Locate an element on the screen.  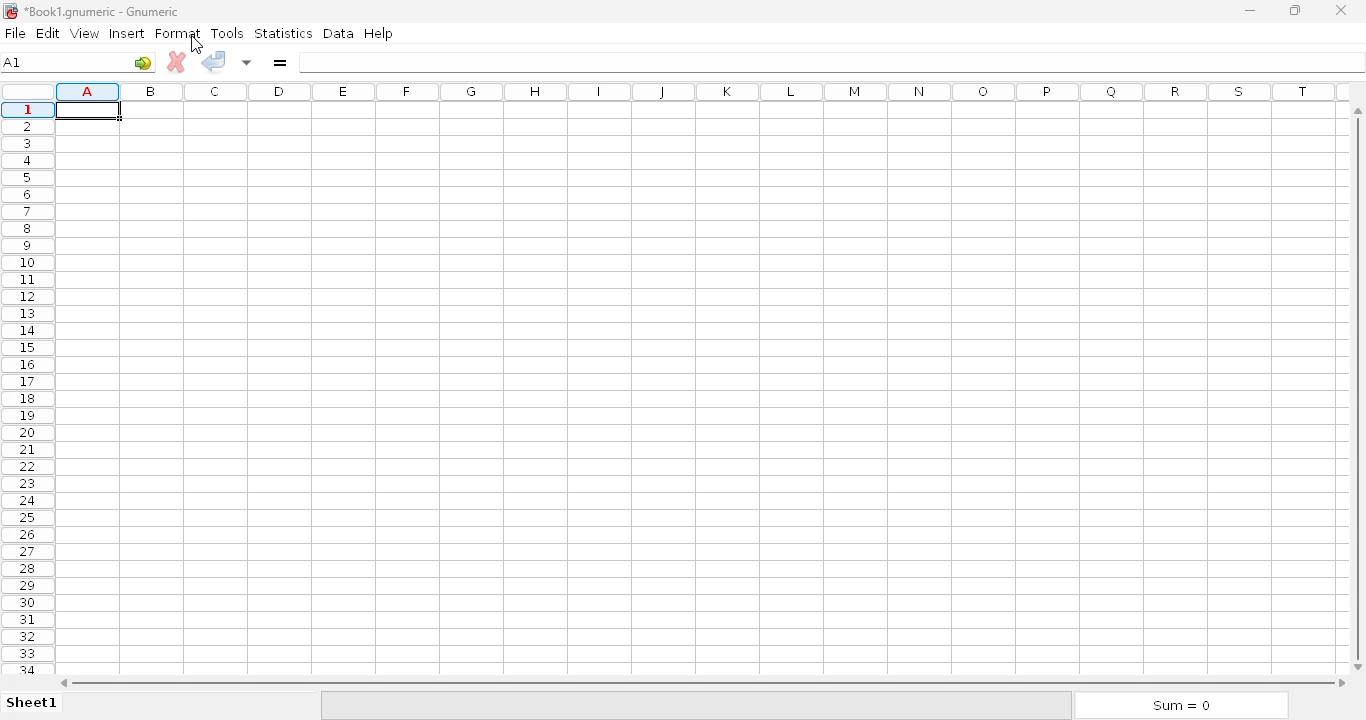
*Book1.gnumeric - Gnumeric is located at coordinates (111, 12).